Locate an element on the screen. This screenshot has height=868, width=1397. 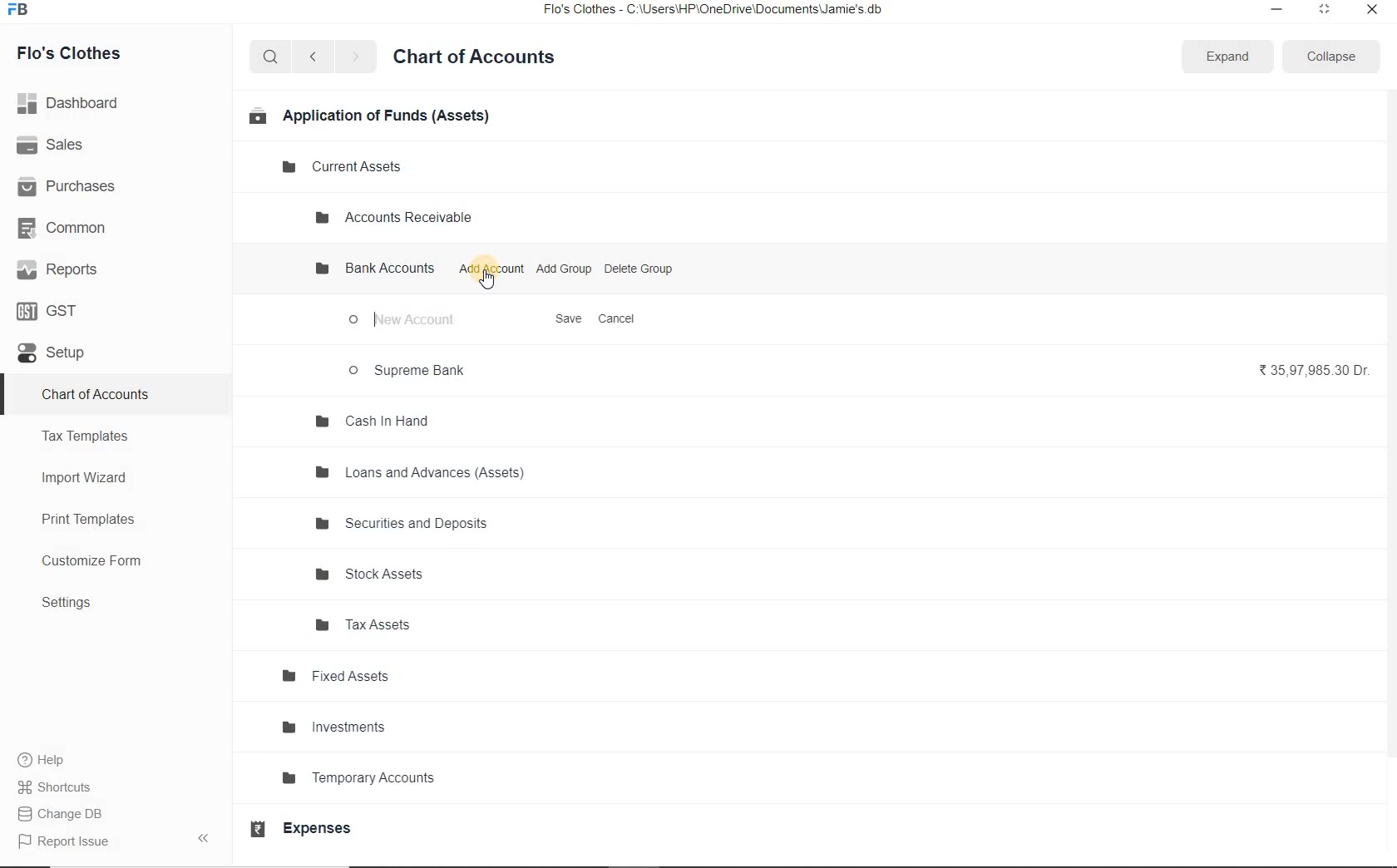
Common is located at coordinates (65, 227).